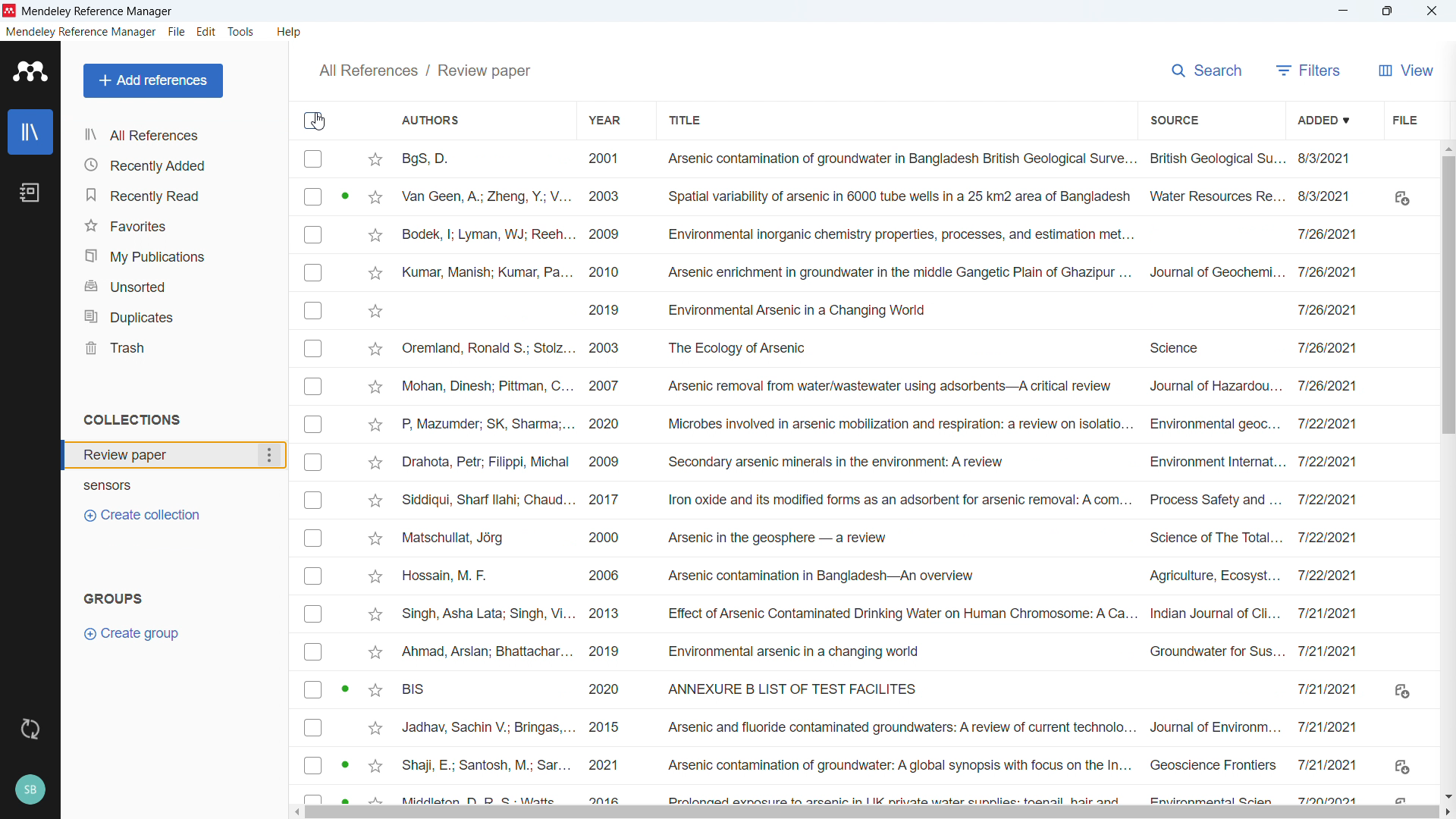 The width and height of the screenshot is (1456, 819). I want to click on Mendeley reference manager, so click(99, 11).